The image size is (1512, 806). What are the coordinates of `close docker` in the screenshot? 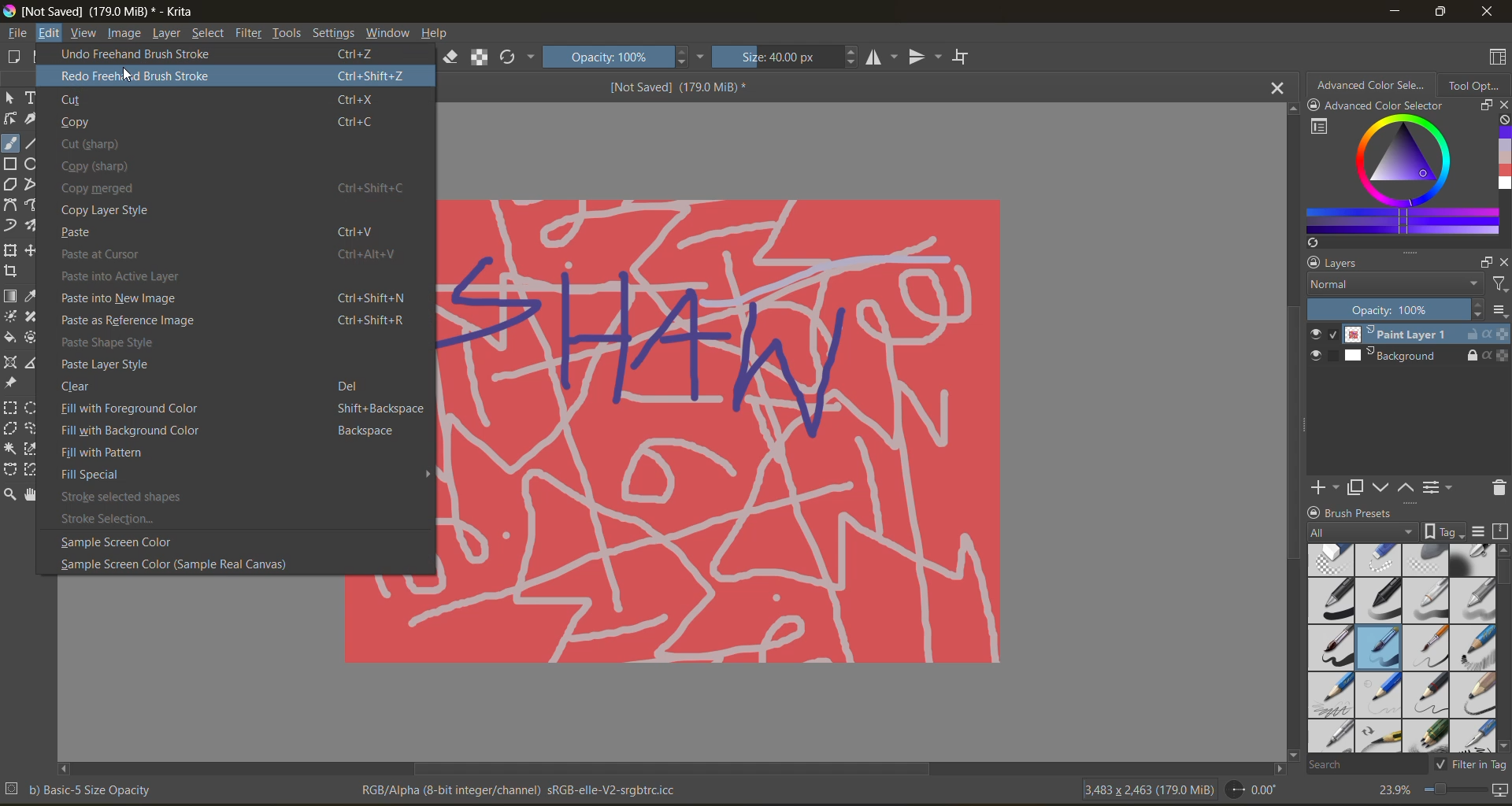 It's located at (1503, 263).